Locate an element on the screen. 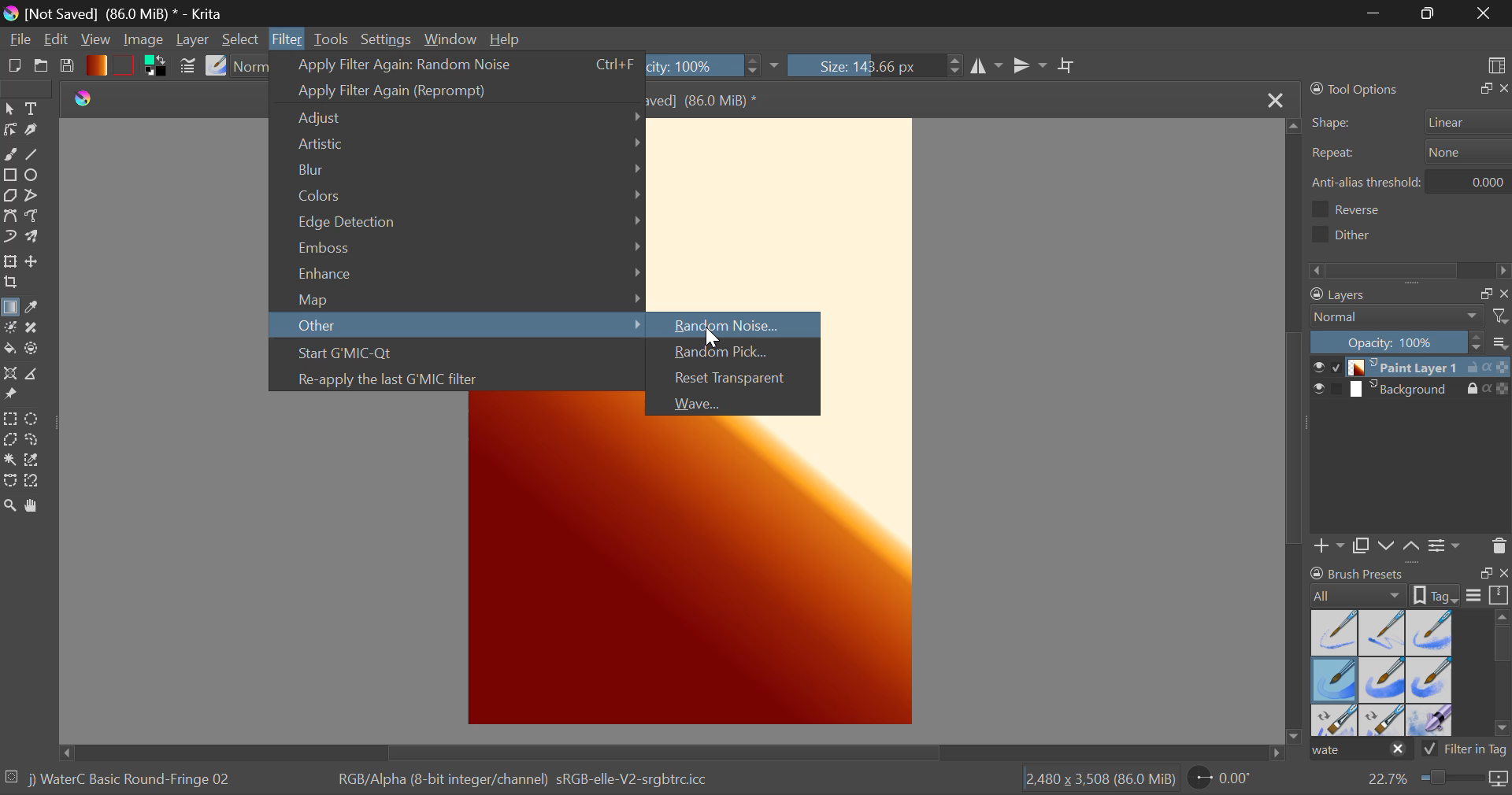 This screenshot has width=1512, height=795. repeat button is located at coordinates (1464, 152).